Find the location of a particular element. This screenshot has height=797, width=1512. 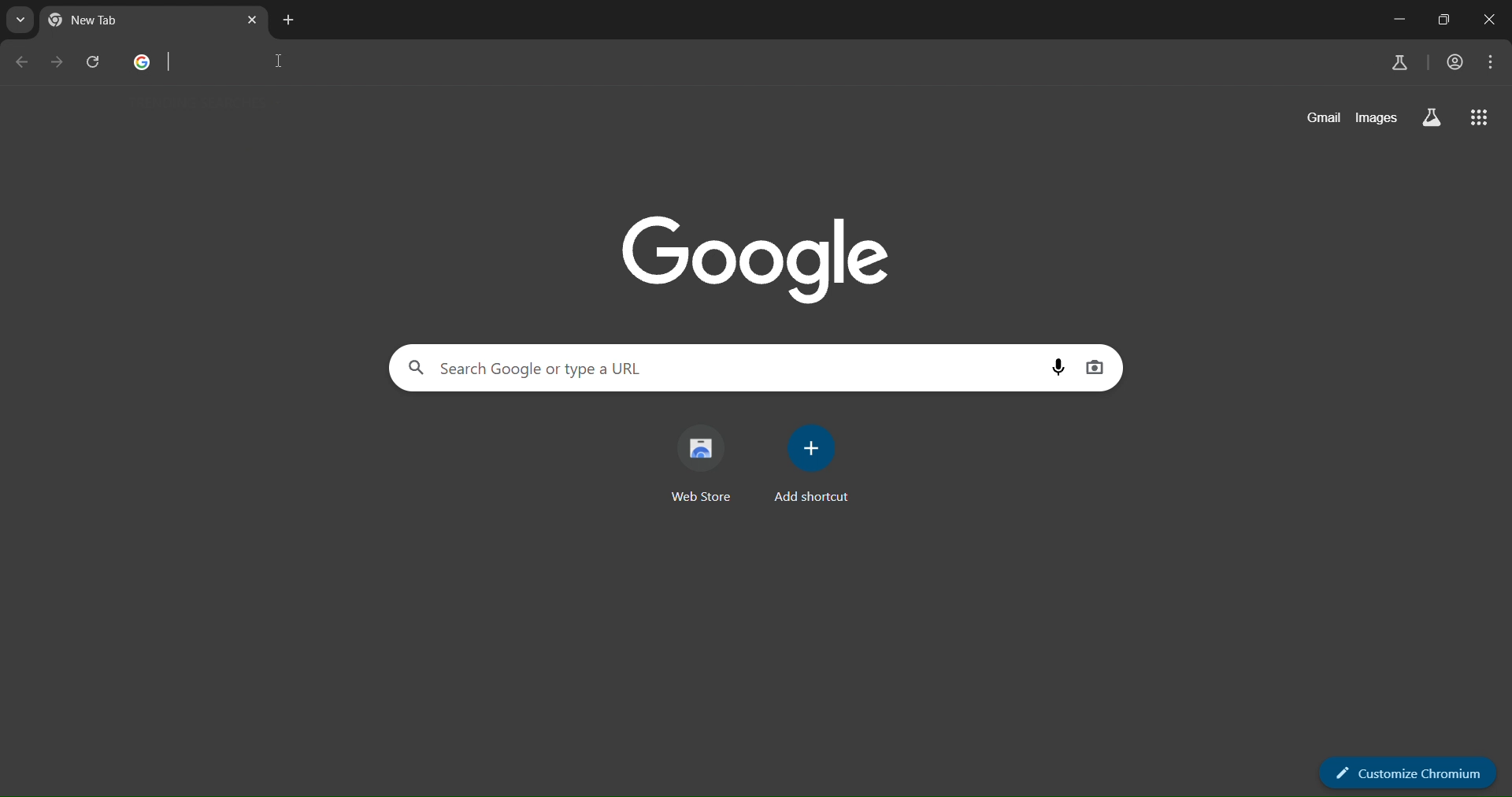

Search Google or type a URL is located at coordinates (721, 369).